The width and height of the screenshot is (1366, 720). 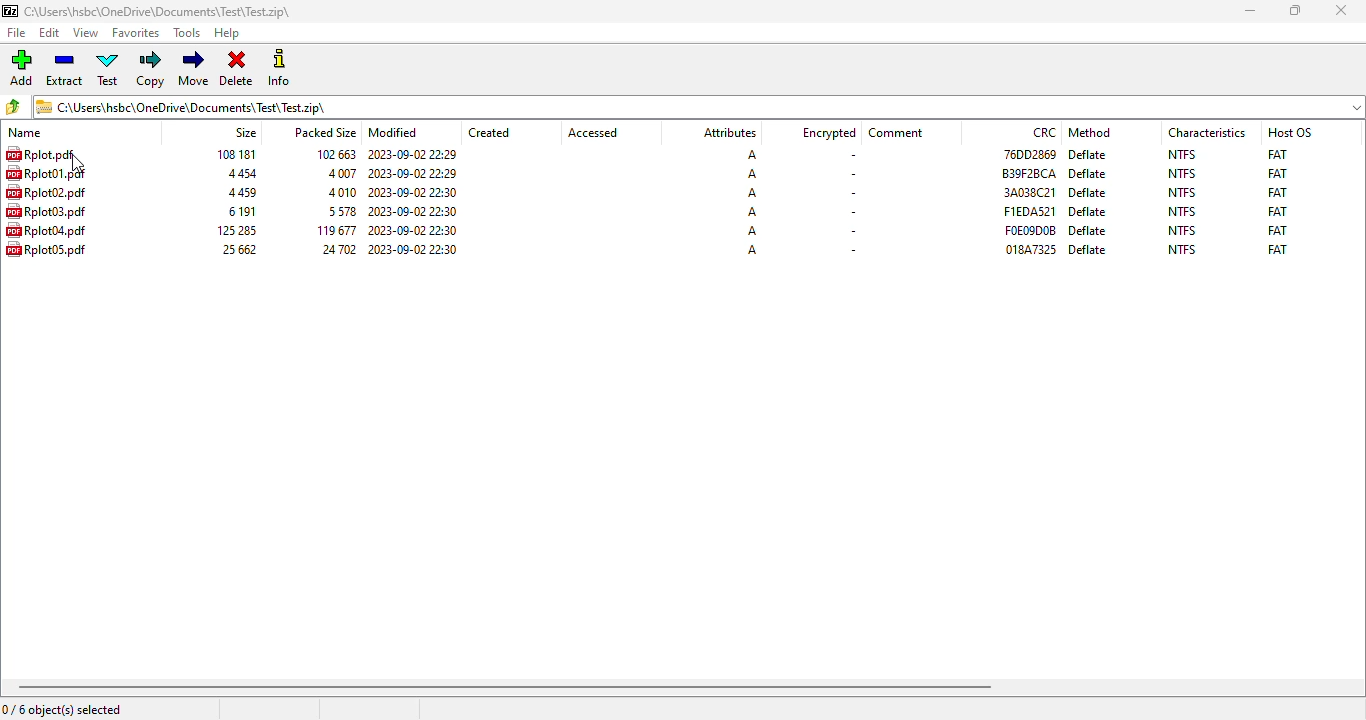 I want to click on file , so click(x=40, y=153).